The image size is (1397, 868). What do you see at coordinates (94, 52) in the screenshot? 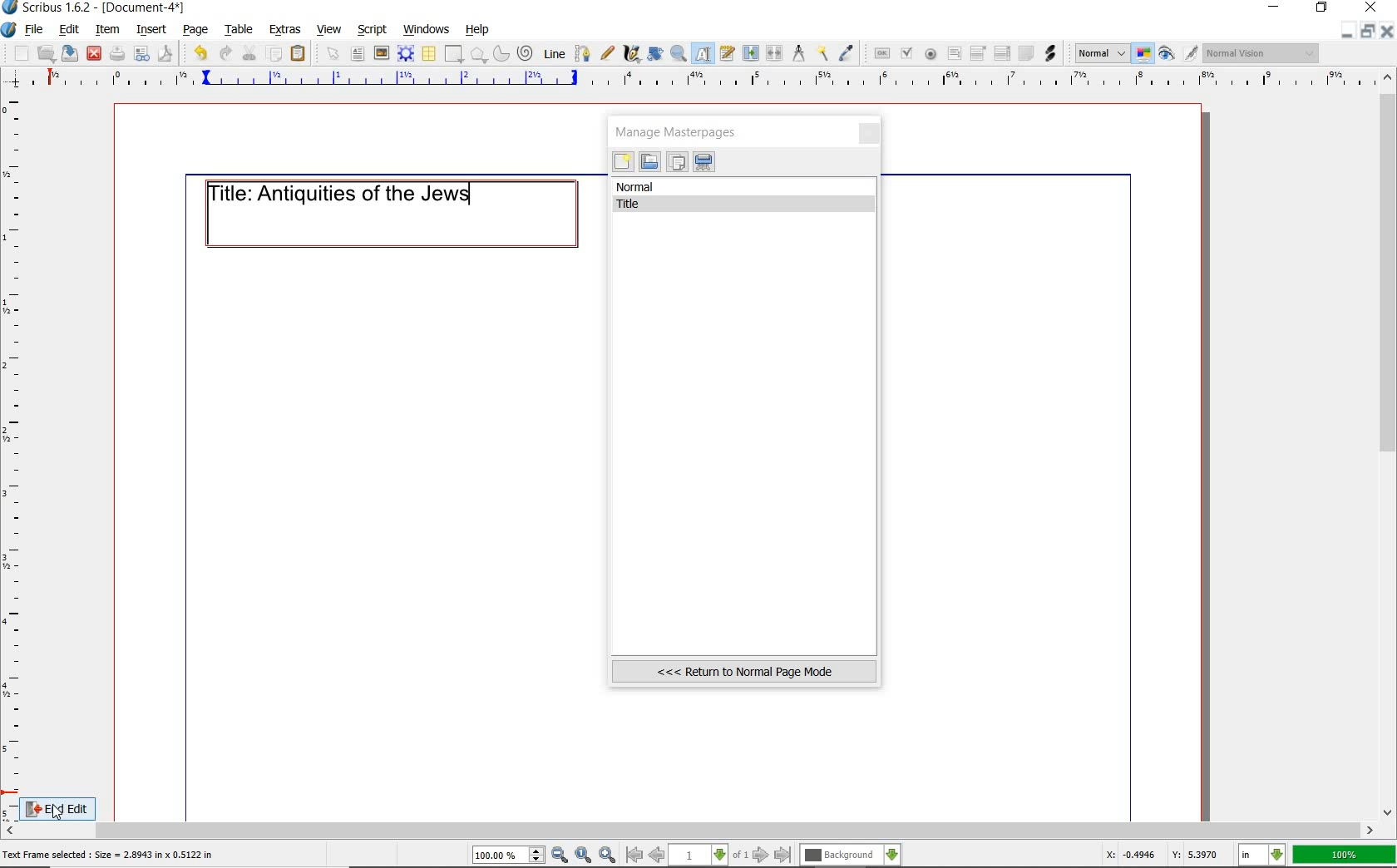
I see `close` at bounding box center [94, 52].